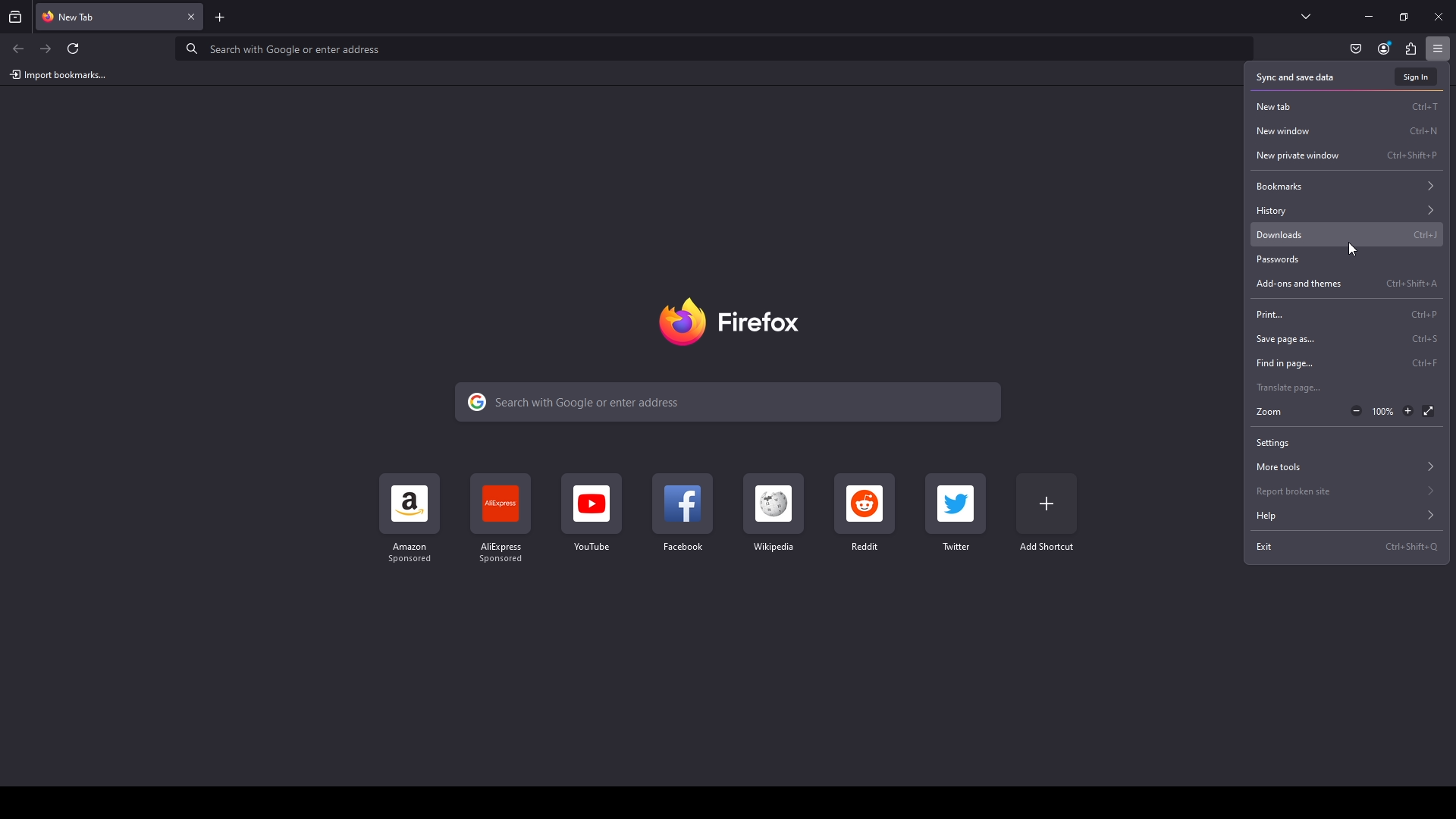  Describe the element at coordinates (1047, 513) in the screenshot. I see `Add shortcut ` at that location.